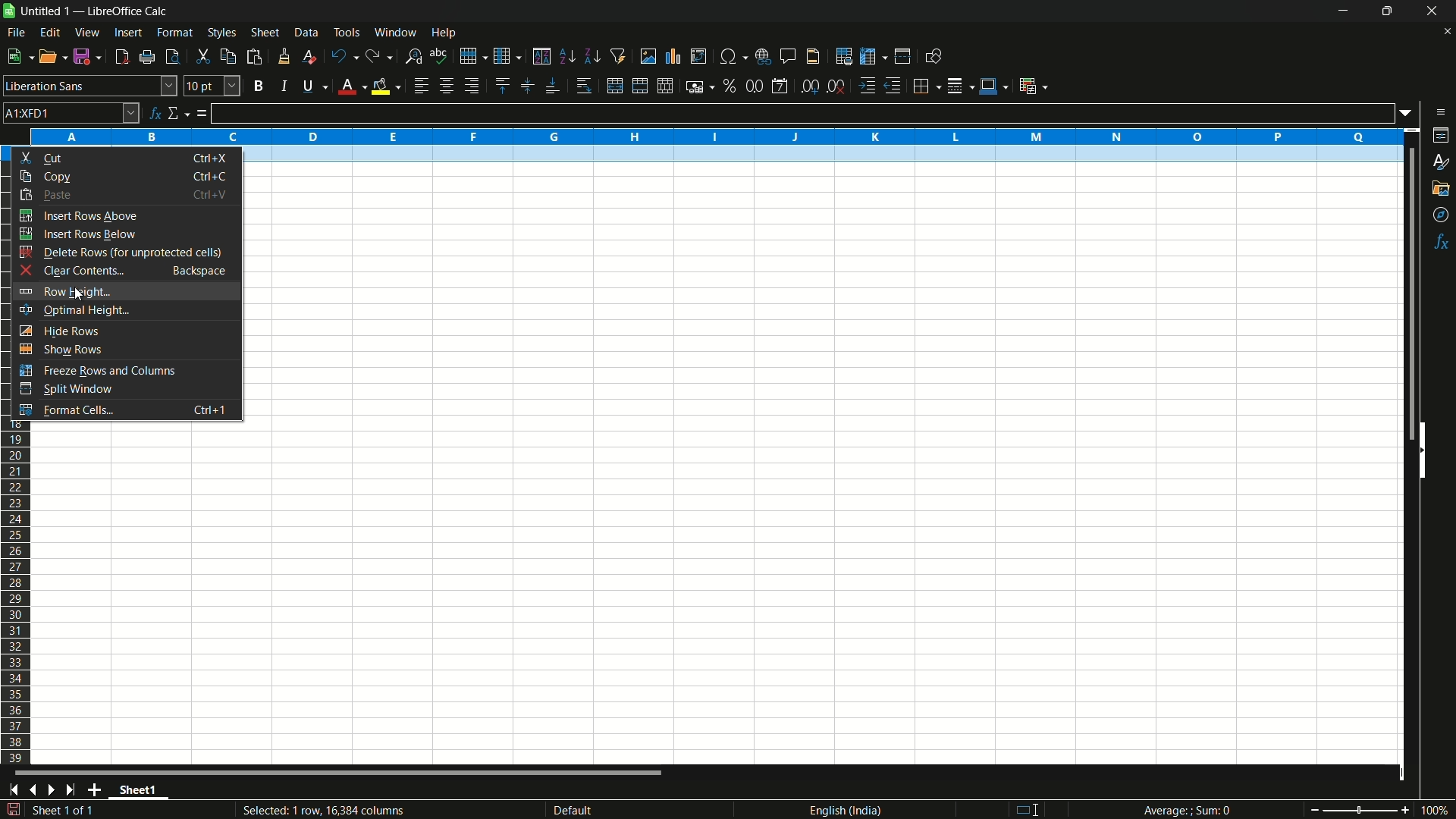 This screenshot has width=1456, height=819. I want to click on spelling, so click(439, 55).